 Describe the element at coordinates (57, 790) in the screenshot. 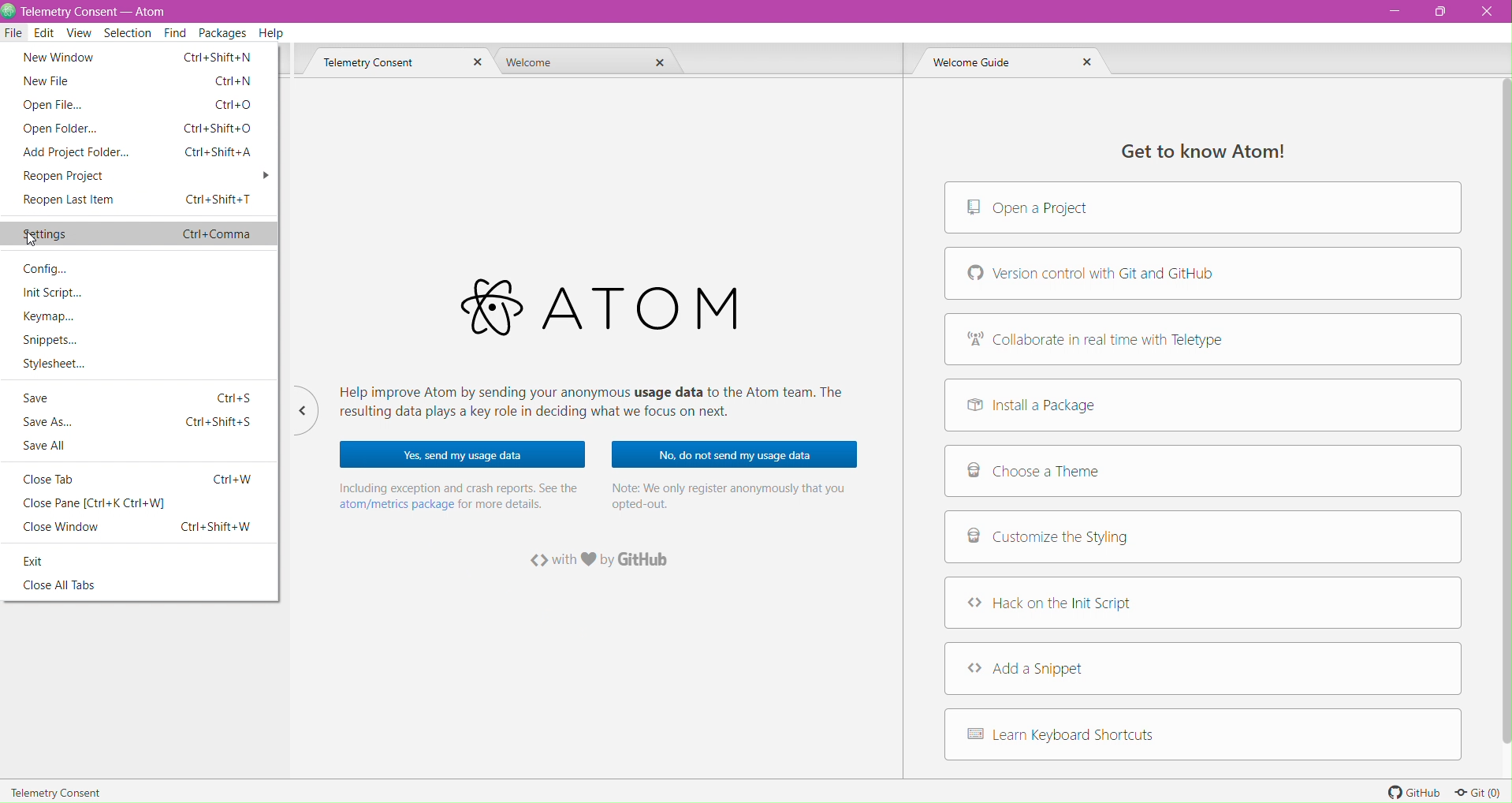

I see `Telemetry Consent` at that location.